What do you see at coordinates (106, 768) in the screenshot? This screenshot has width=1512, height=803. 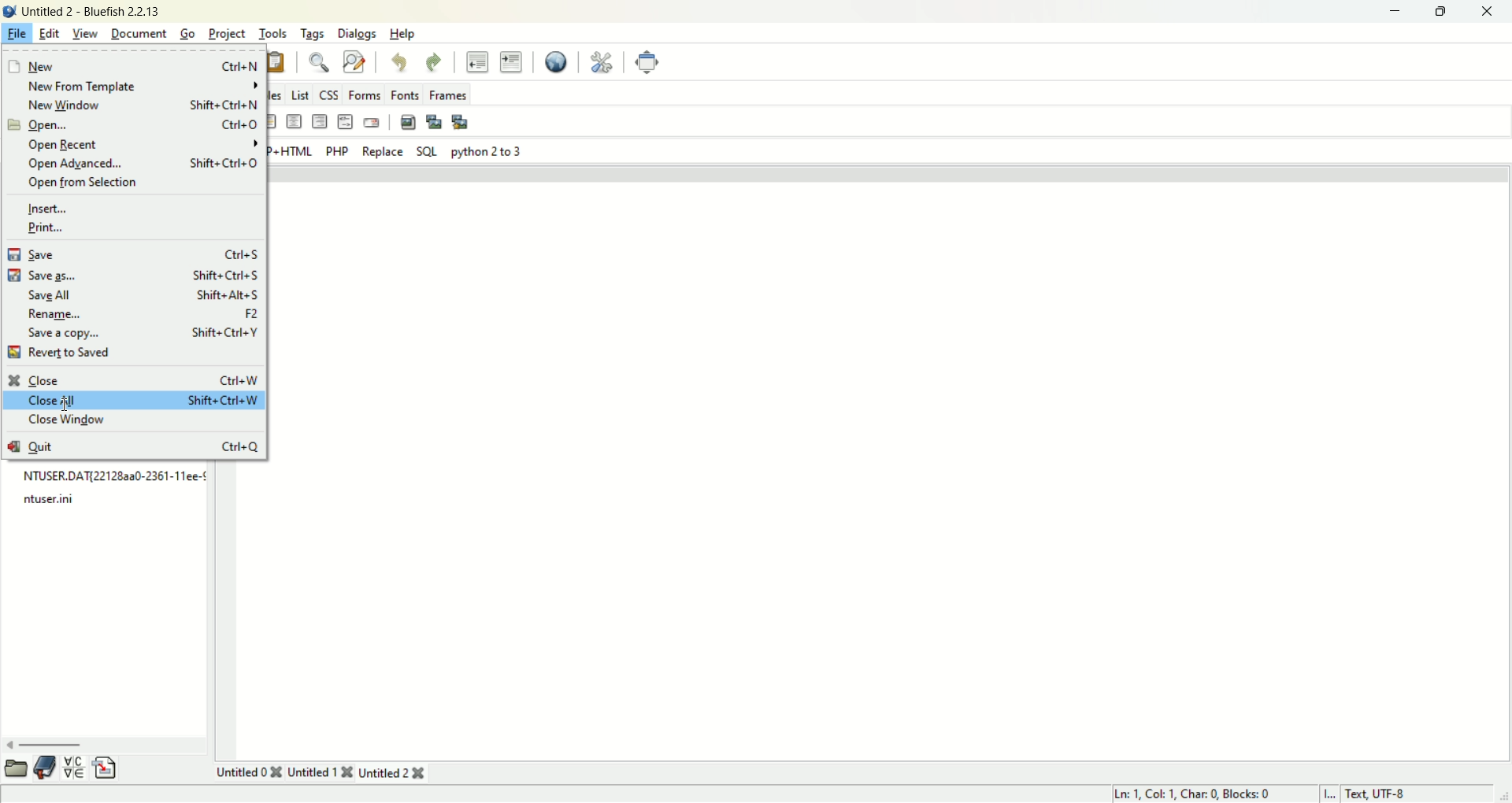 I see `insert file` at bounding box center [106, 768].